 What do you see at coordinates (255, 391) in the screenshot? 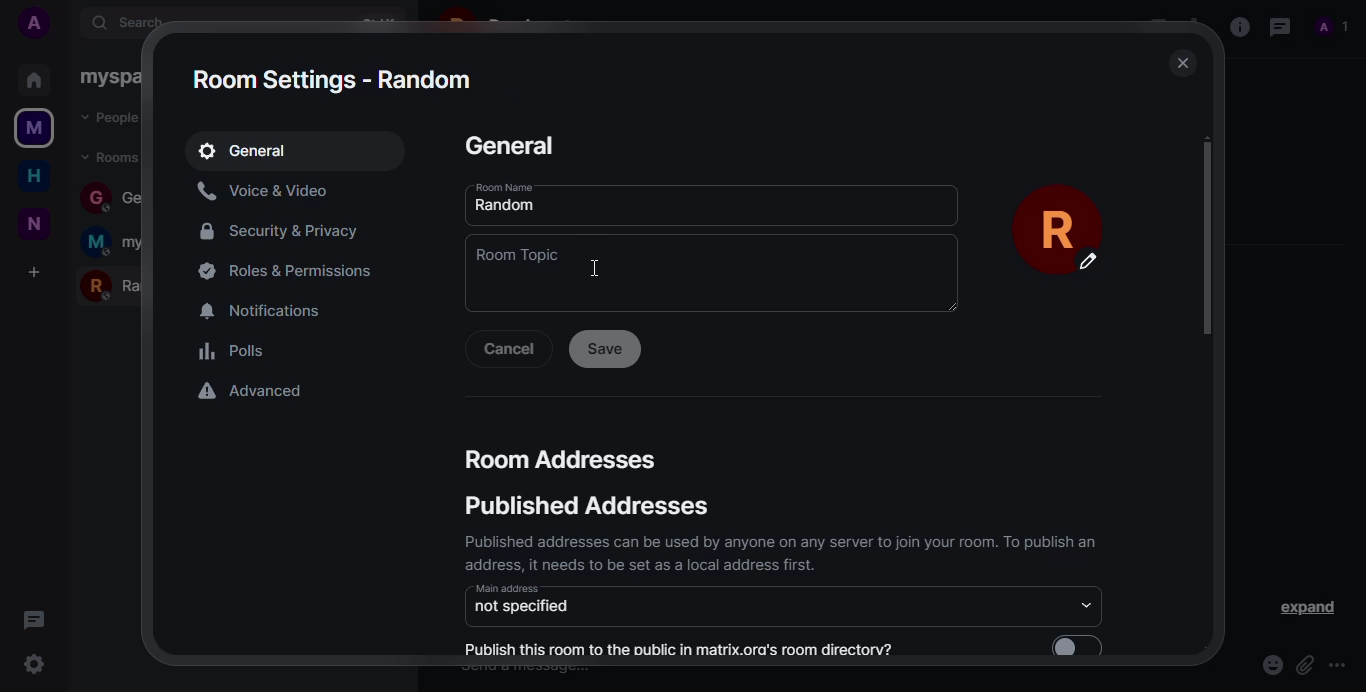
I see `advanced` at bounding box center [255, 391].